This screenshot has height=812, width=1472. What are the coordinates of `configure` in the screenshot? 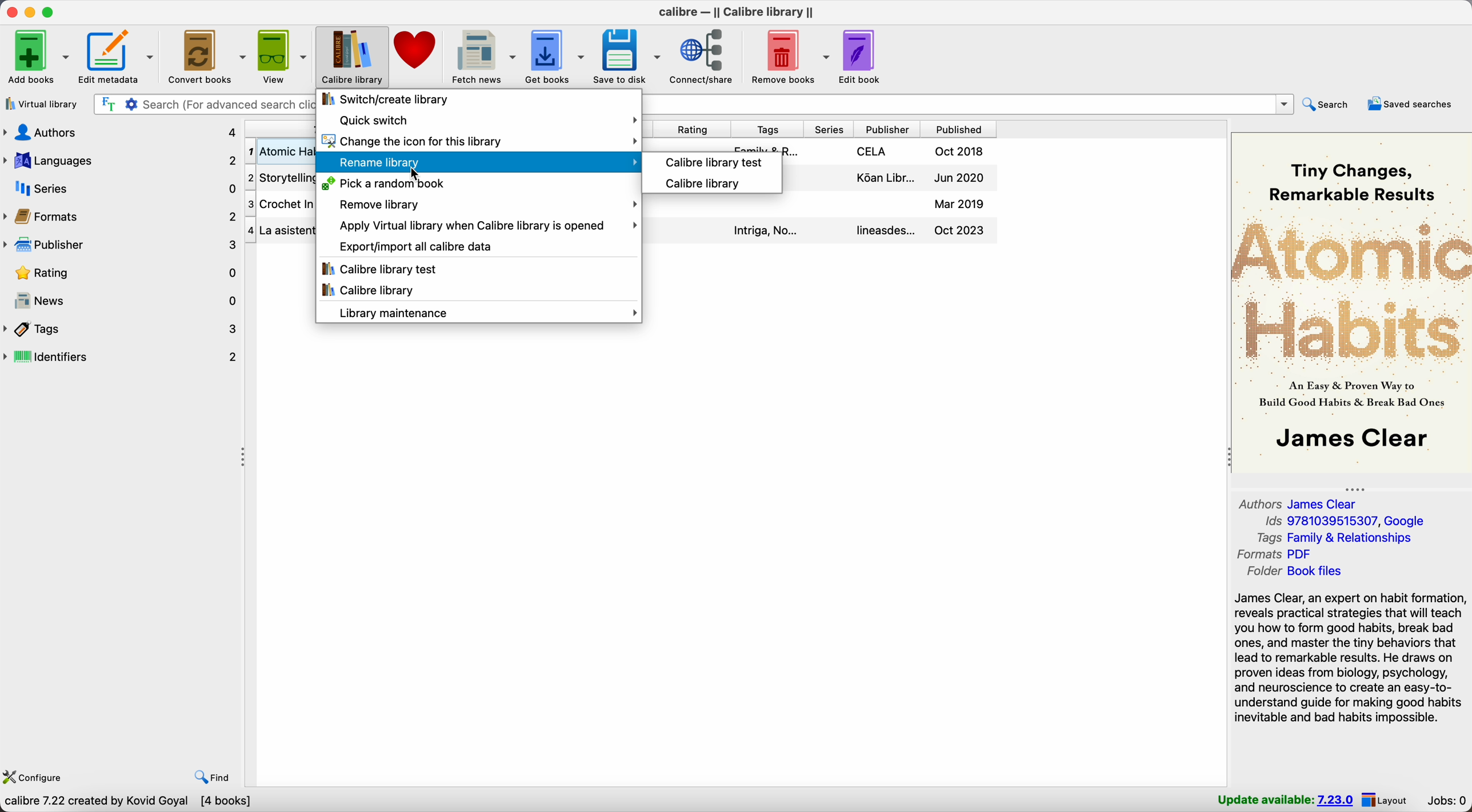 It's located at (37, 775).